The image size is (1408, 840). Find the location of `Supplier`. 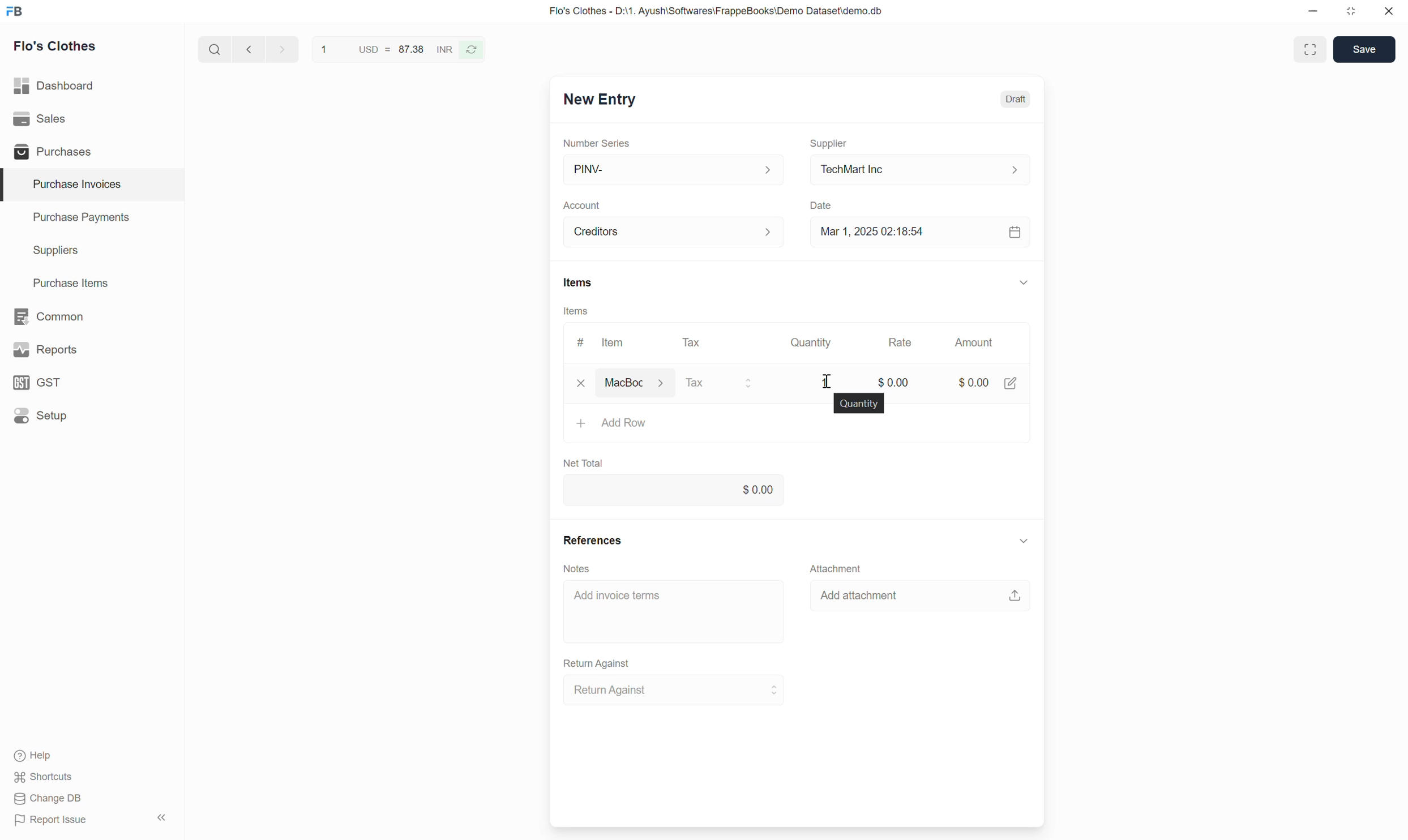

Supplier is located at coordinates (829, 144).